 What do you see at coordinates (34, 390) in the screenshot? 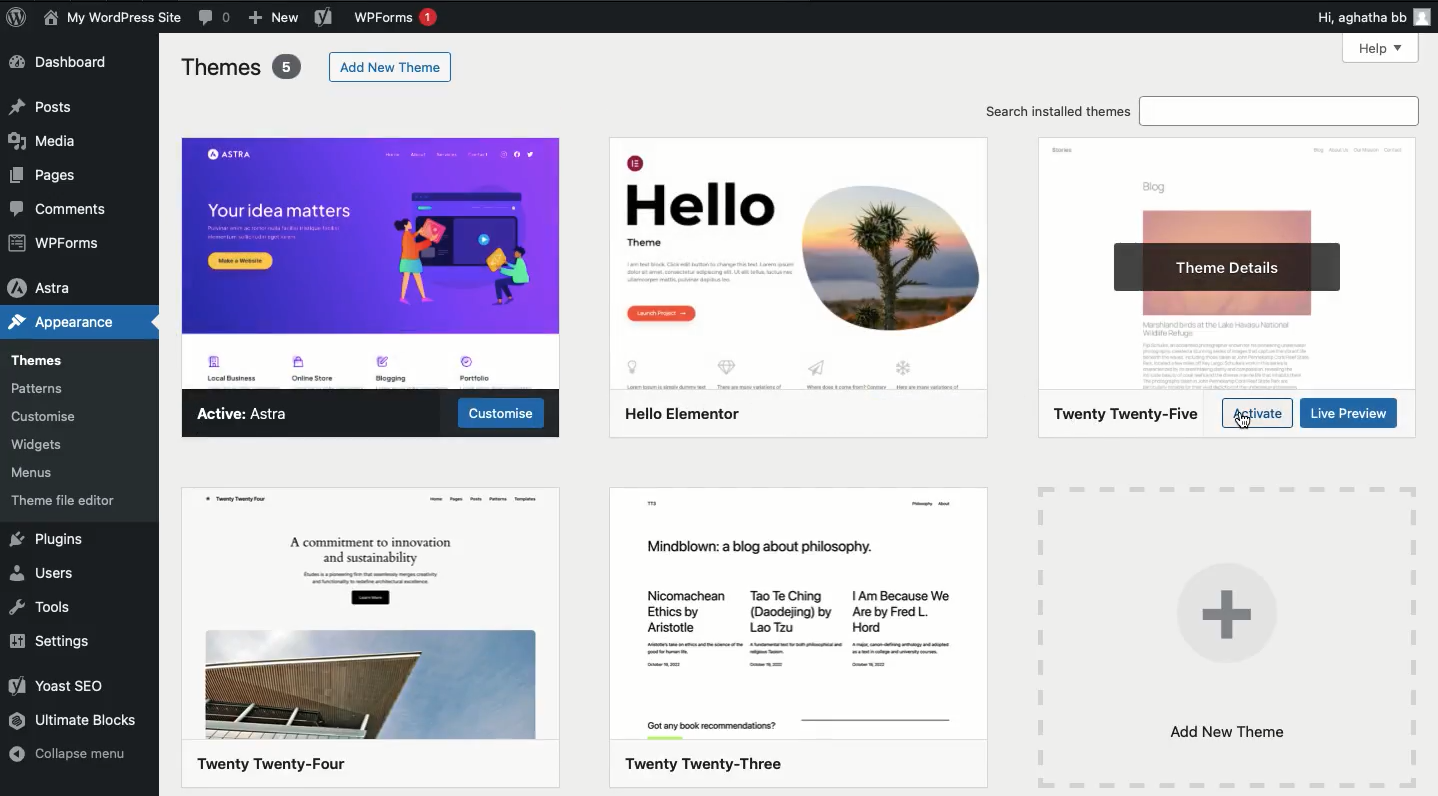
I see `Patterns` at bounding box center [34, 390].